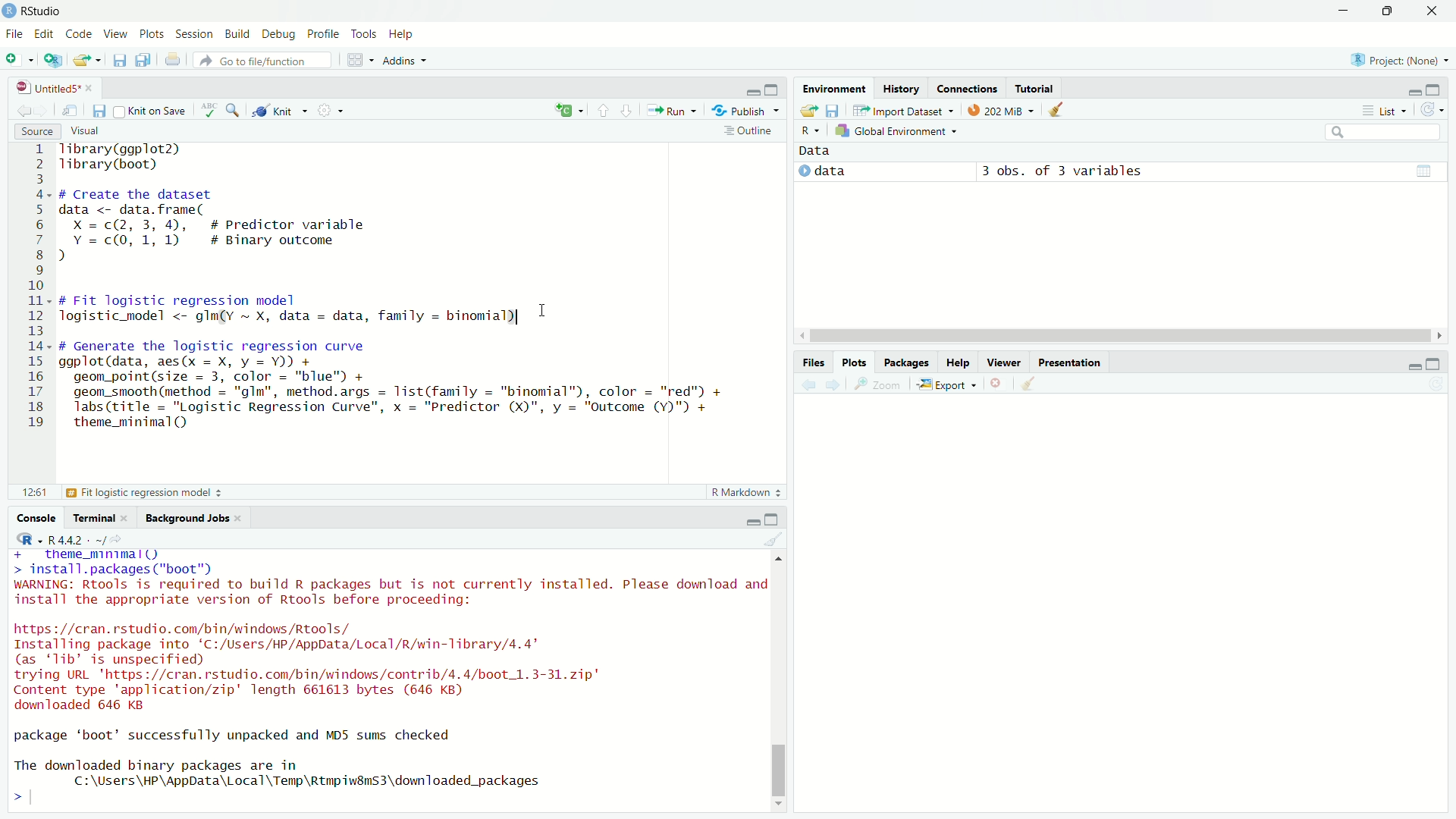 The image size is (1456, 819). What do you see at coordinates (1071, 362) in the screenshot?
I see `Presentation` at bounding box center [1071, 362].